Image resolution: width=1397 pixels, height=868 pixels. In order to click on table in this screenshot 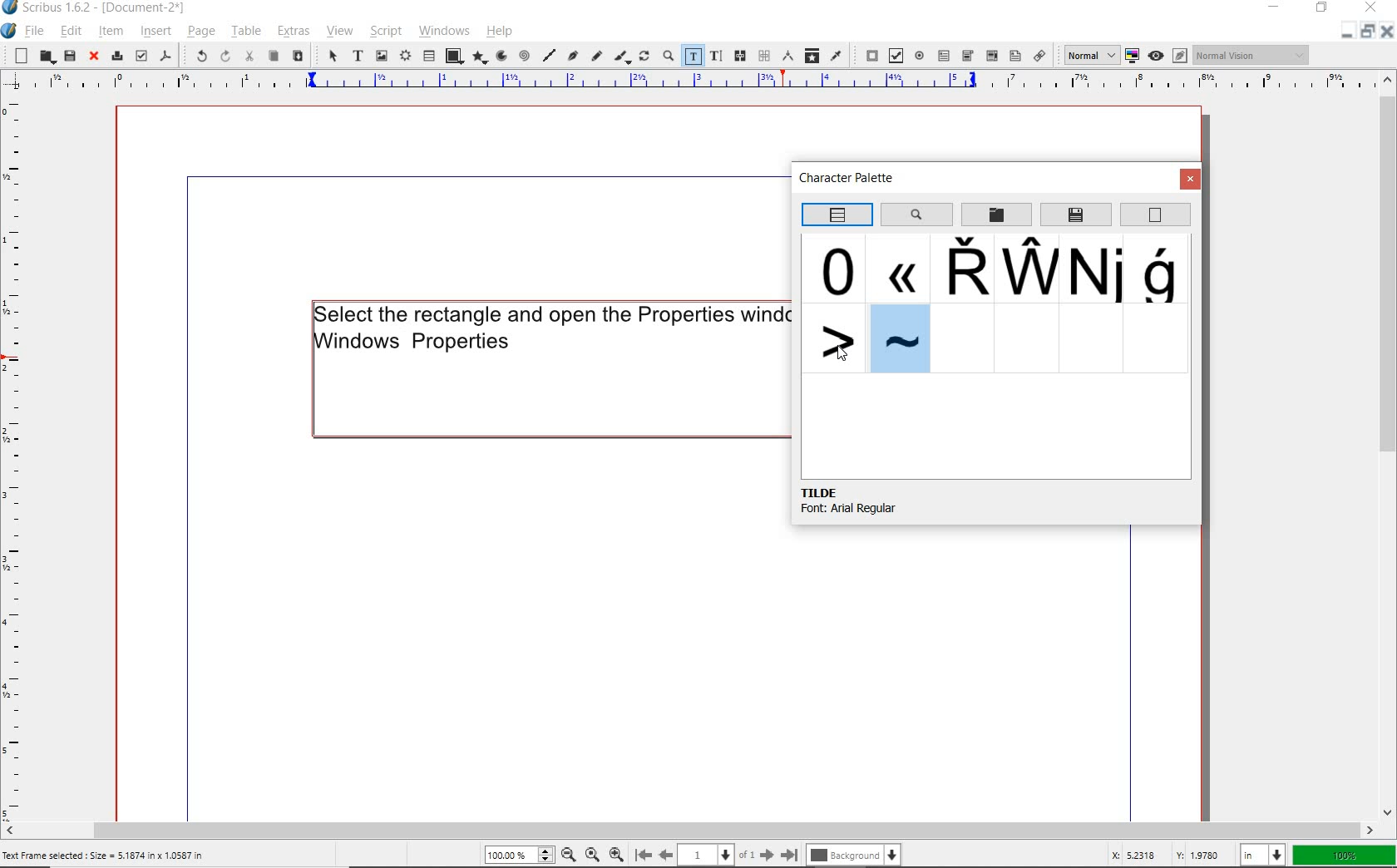, I will do `click(245, 32)`.